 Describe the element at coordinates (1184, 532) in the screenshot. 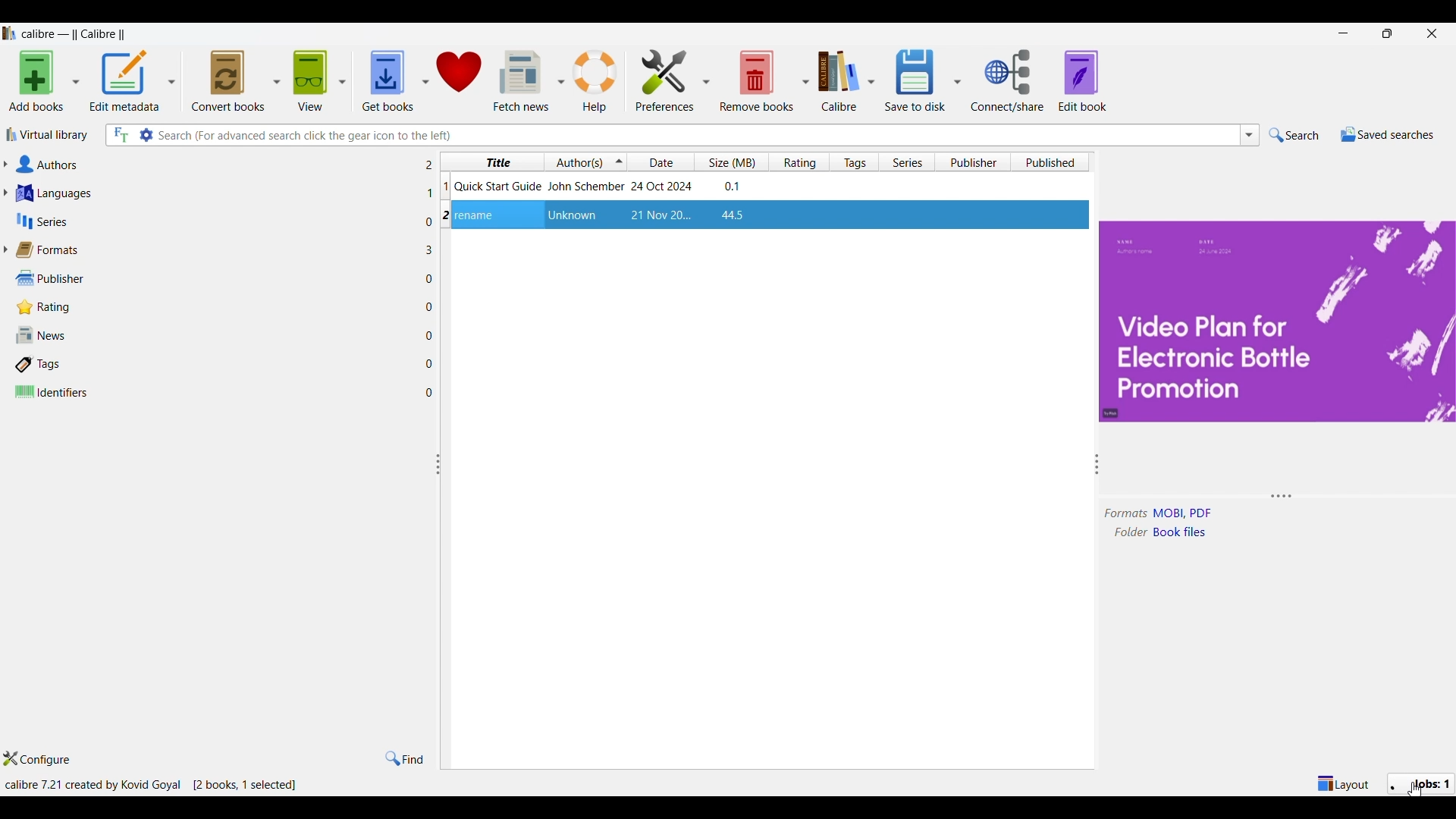

I see `book files` at that location.